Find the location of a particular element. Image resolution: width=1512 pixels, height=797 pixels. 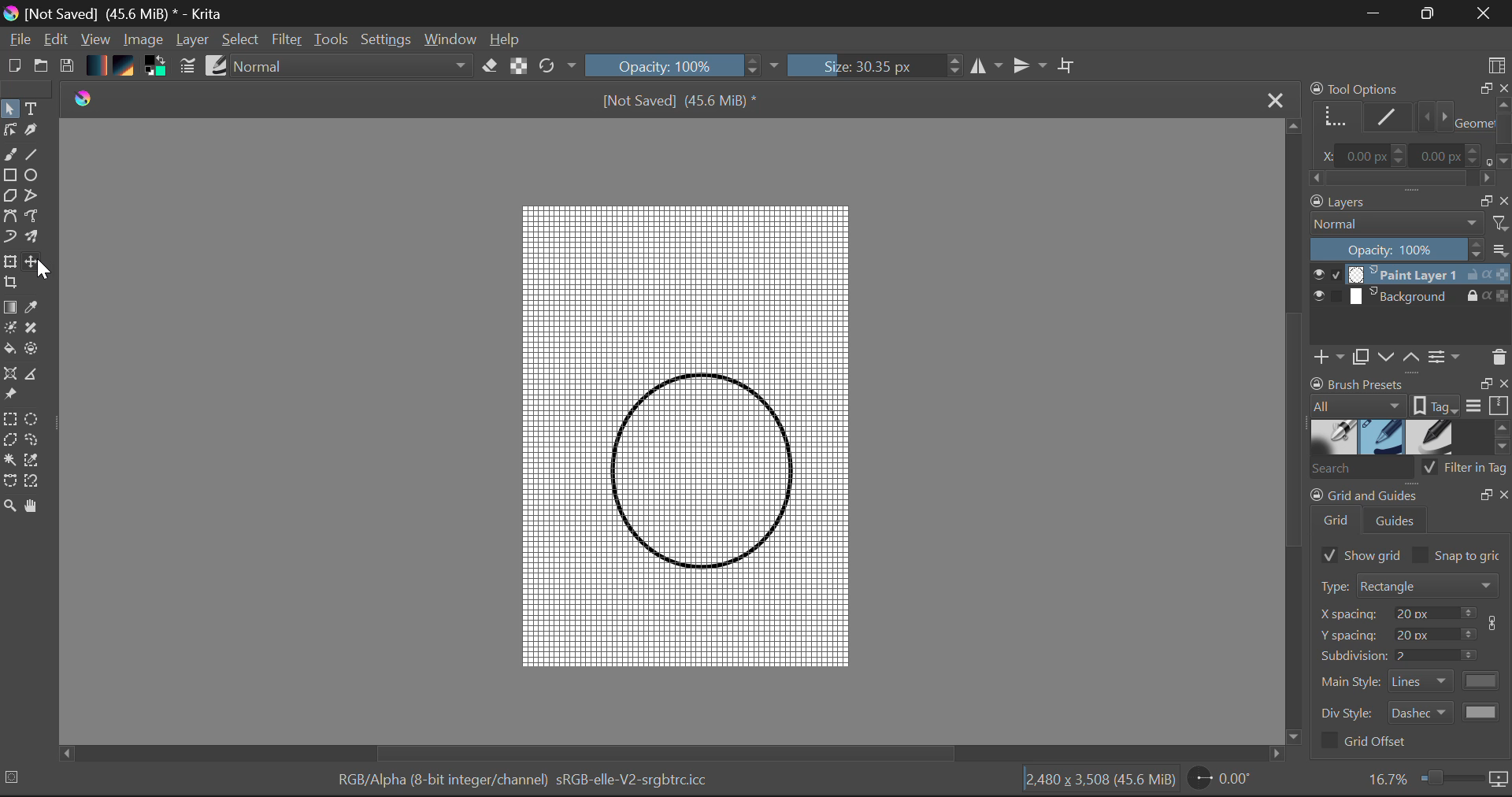

Bezier Curve is located at coordinates (9, 218).